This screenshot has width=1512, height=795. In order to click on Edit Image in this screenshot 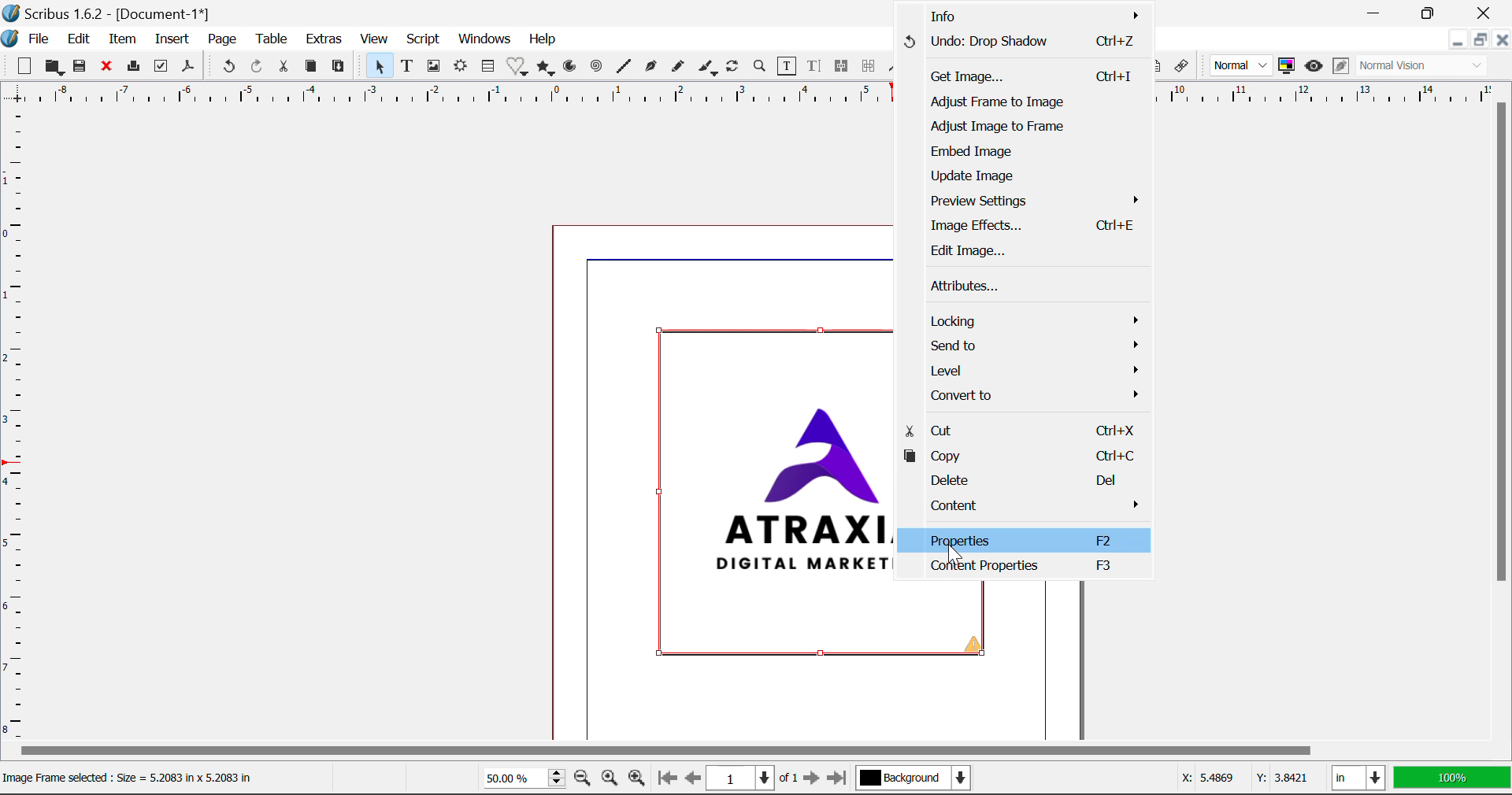, I will do `click(1024, 253)`.